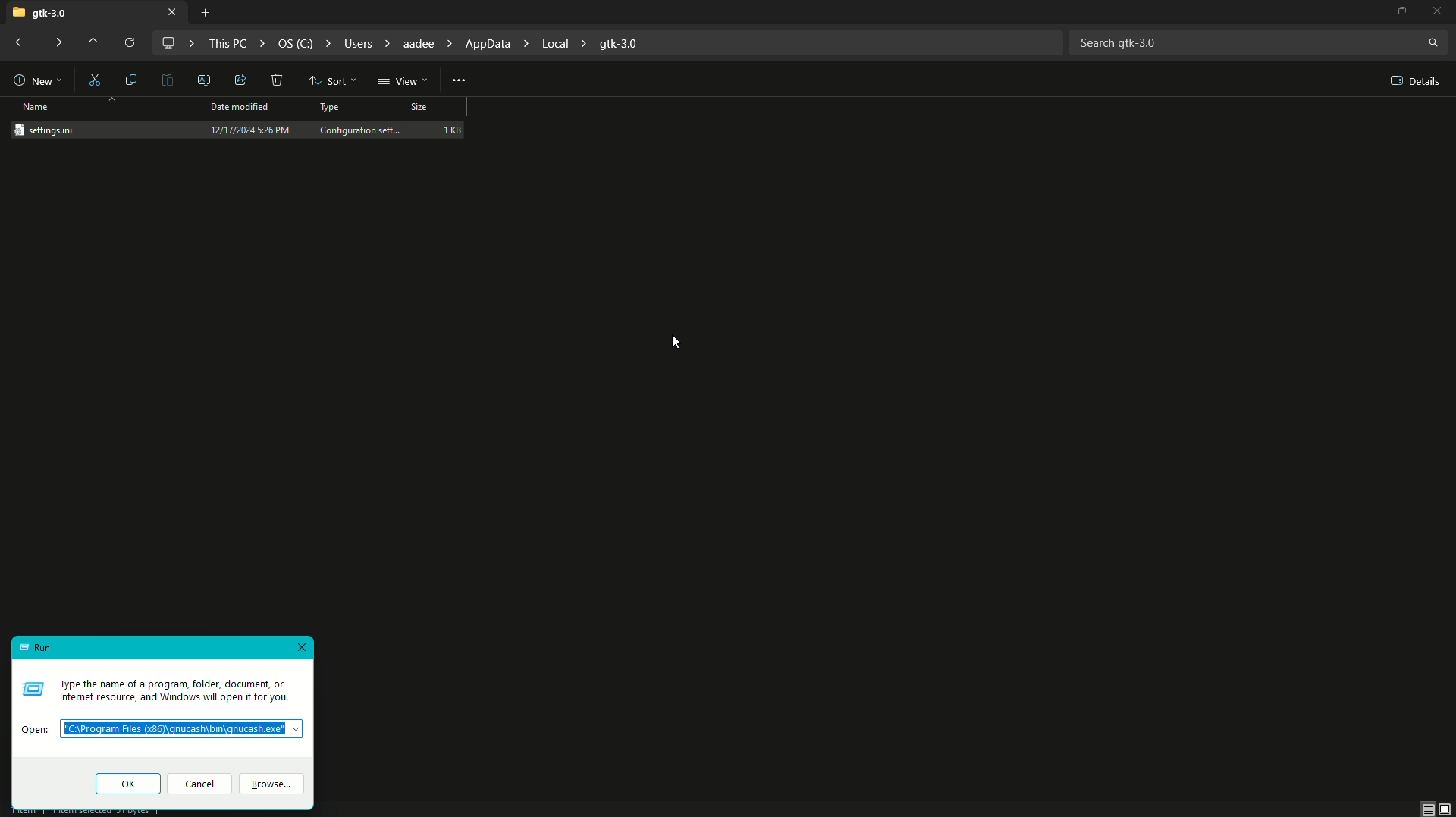 The height and width of the screenshot is (817, 1456). Describe the element at coordinates (177, 692) in the screenshot. I see `Details` at that location.